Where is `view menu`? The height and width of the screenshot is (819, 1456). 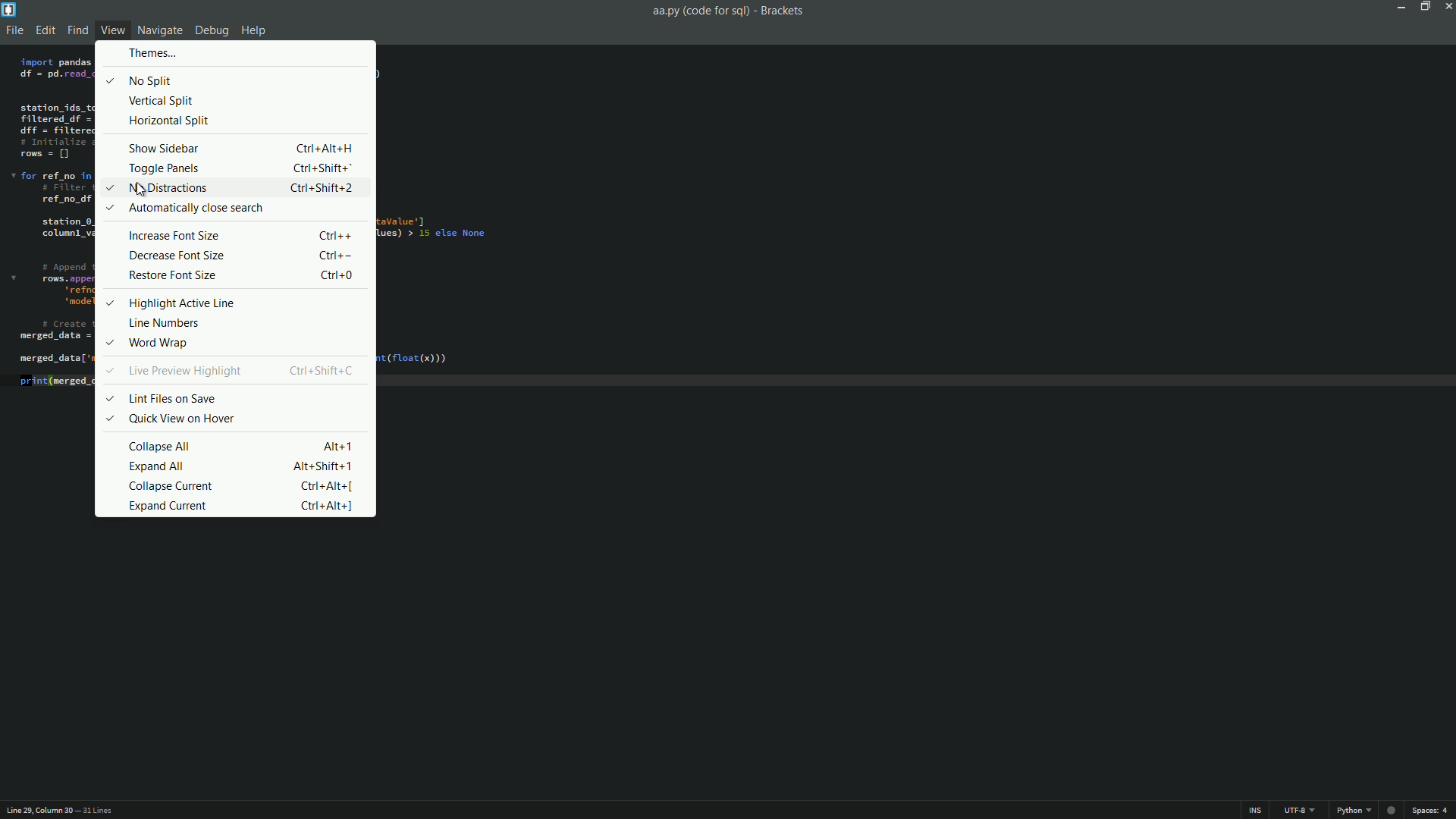 view menu is located at coordinates (112, 29).